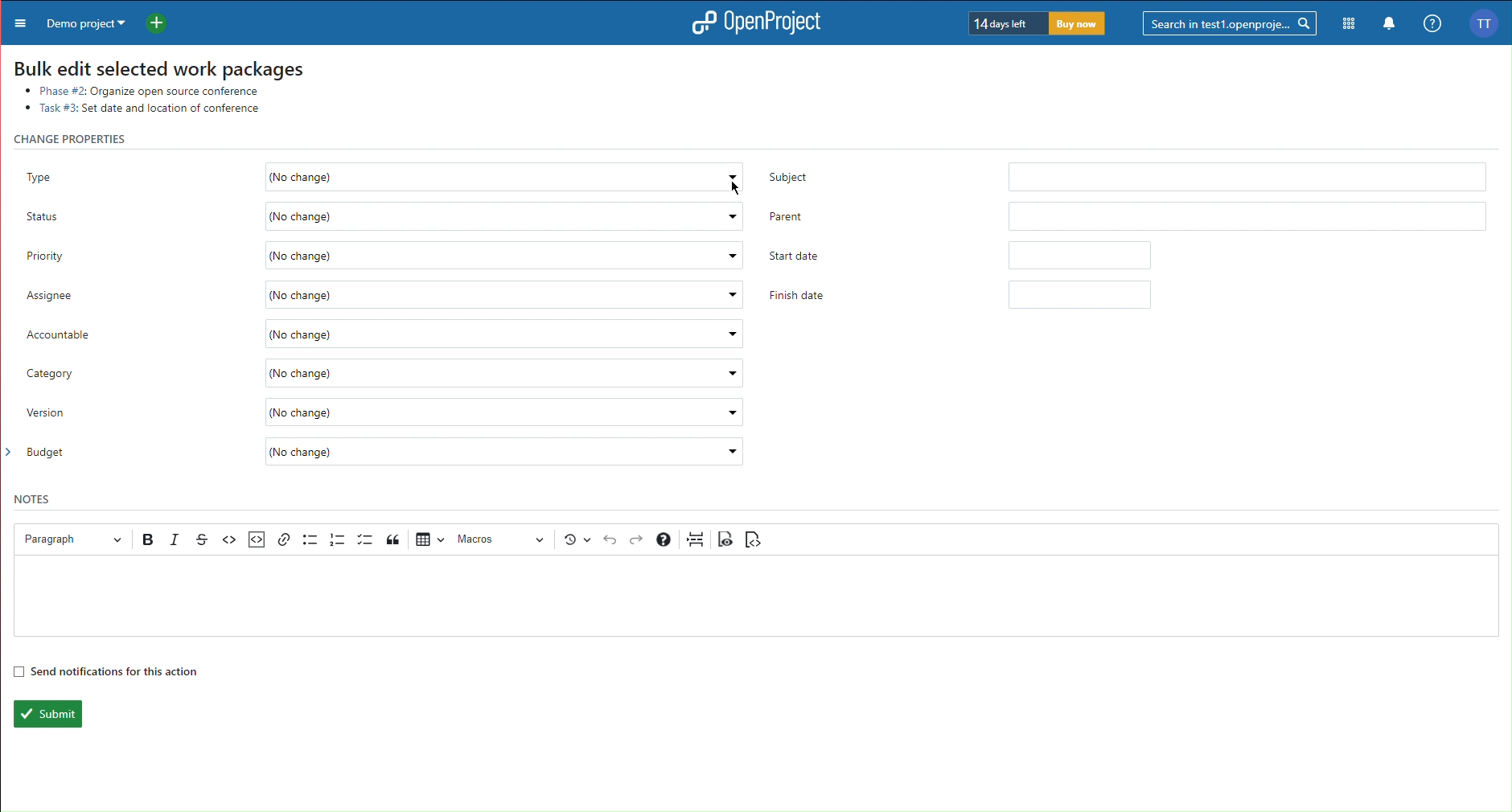  What do you see at coordinates (176, 539) in the screenshot?
I see `Italic` at bounding box center [176, 539].